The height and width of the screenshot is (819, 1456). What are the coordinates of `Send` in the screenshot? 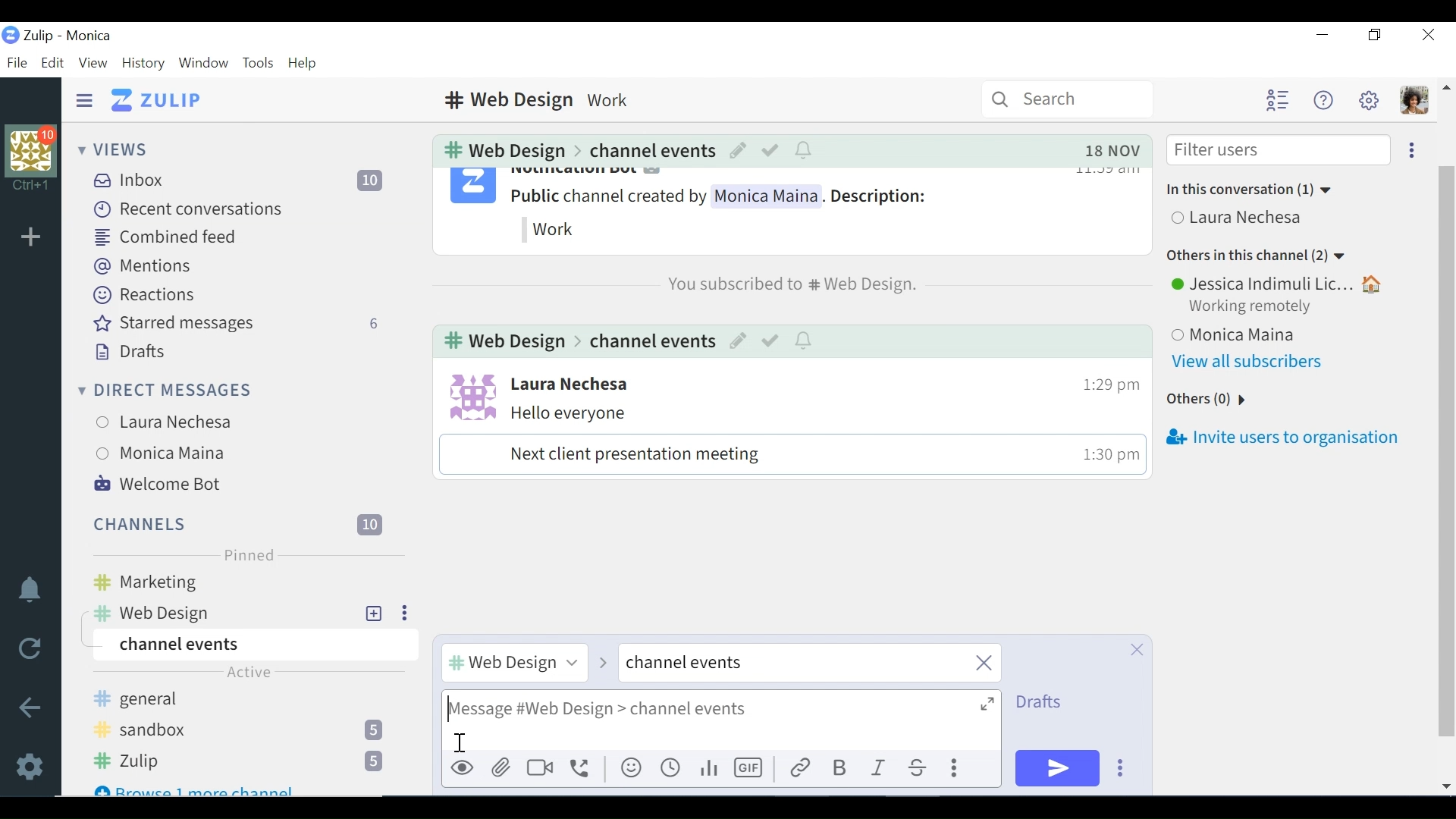 It's located at (1058, 768).